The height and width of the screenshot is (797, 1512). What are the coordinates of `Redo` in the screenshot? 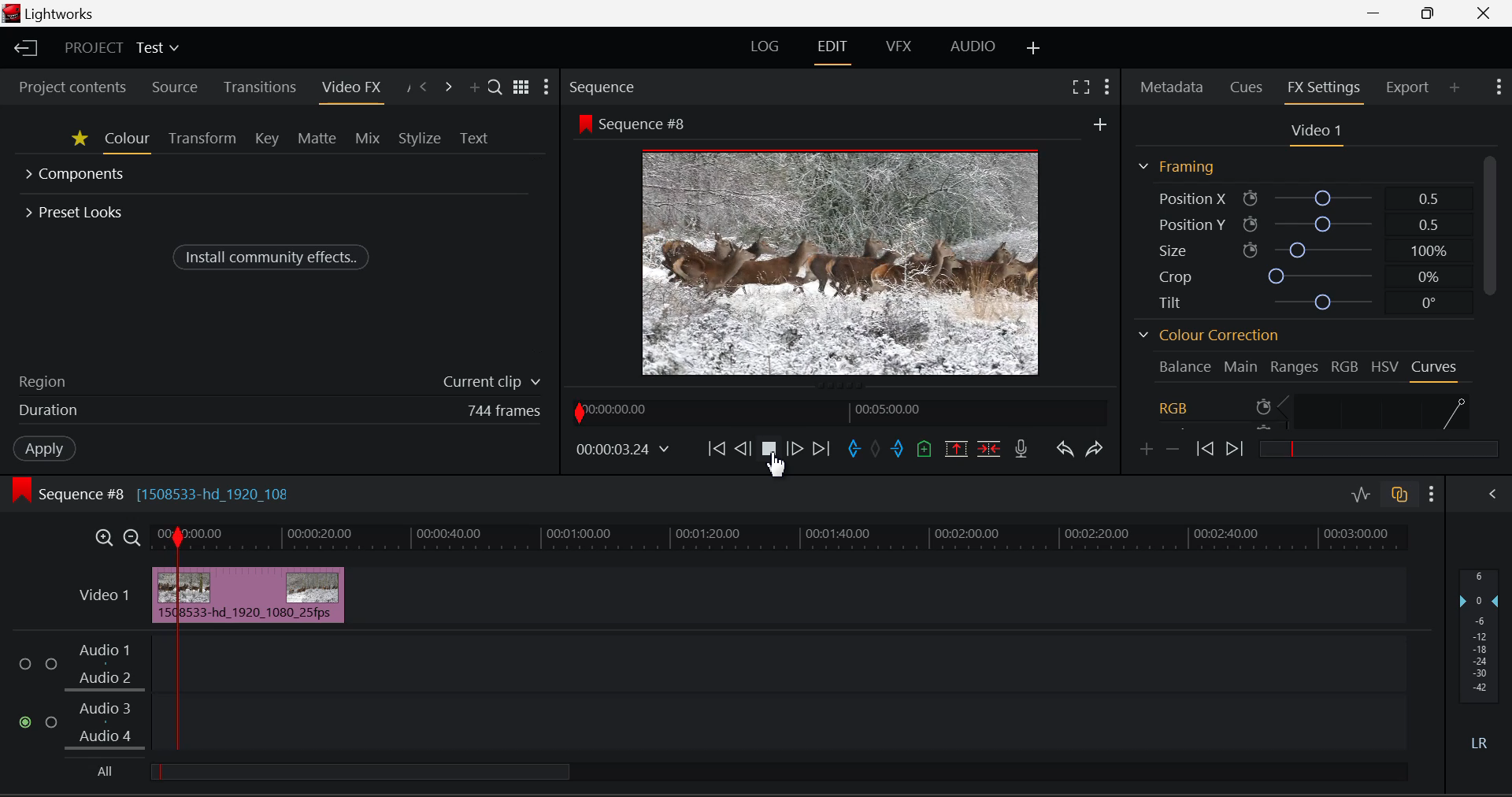 It's located at (1092, 449).